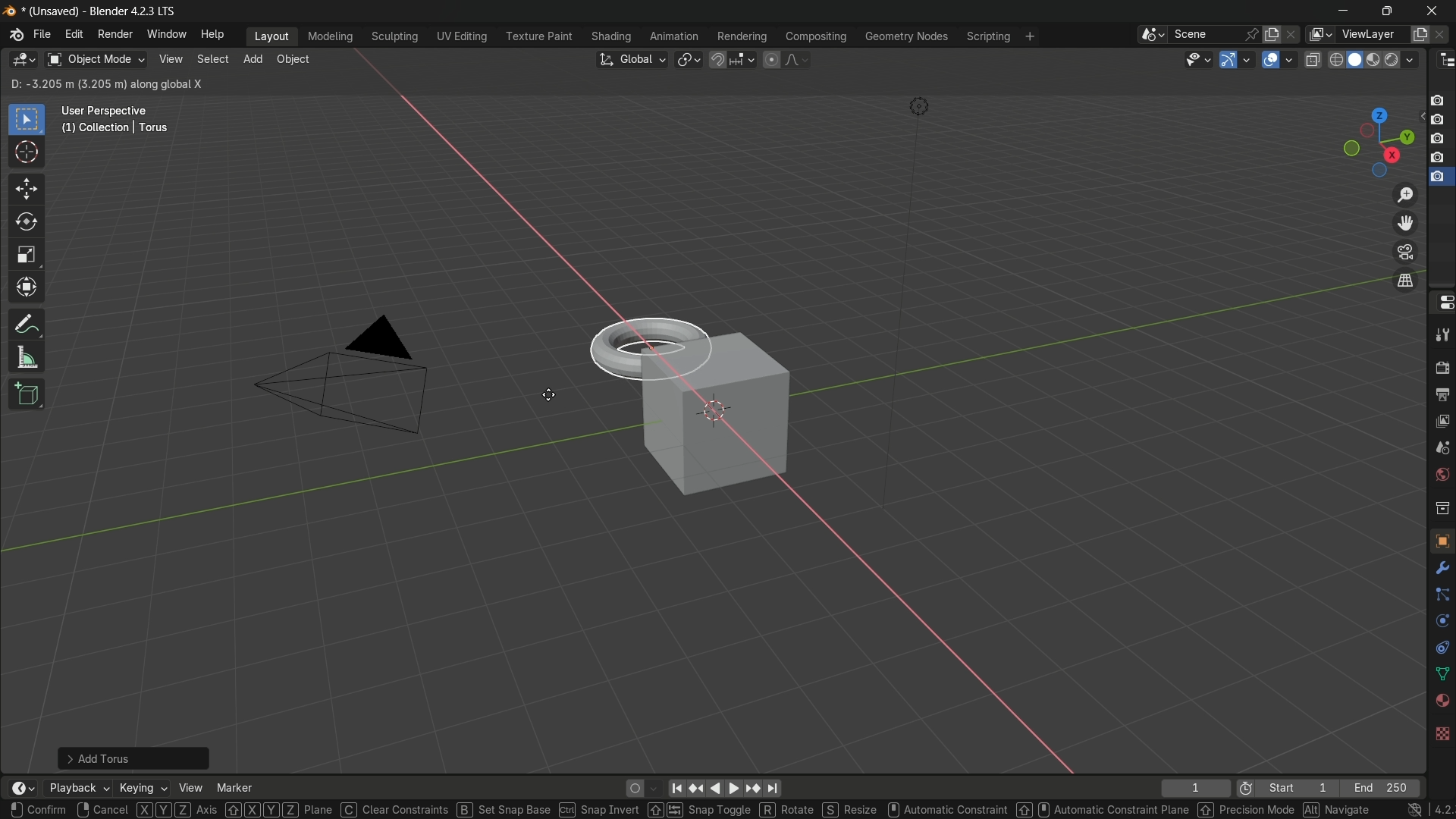 The width and height of the screenshot is (1456, 819). I want to click on close app, so click(1436, 11).